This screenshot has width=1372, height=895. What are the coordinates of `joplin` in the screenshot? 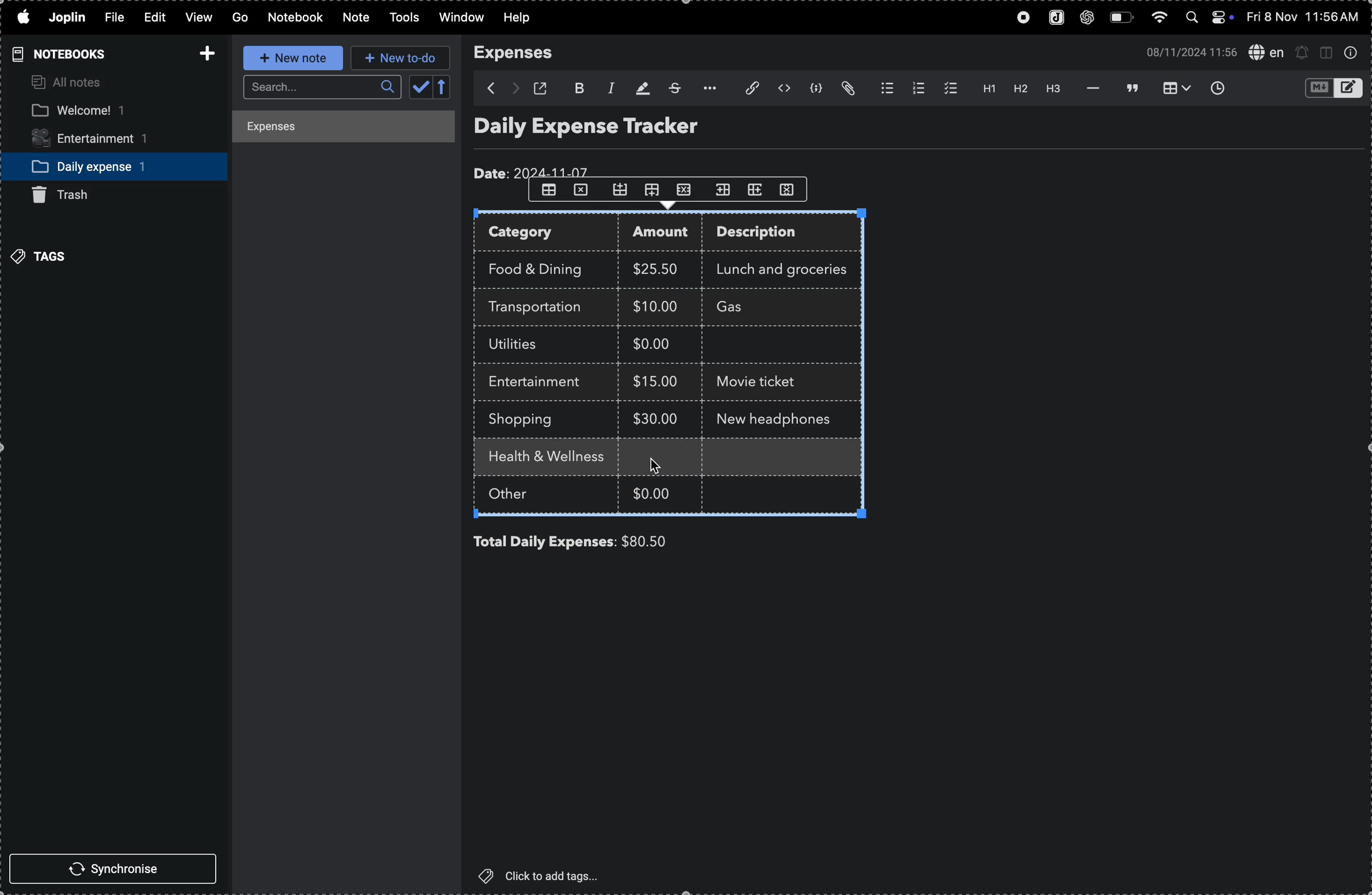 It's located at (69, 17).